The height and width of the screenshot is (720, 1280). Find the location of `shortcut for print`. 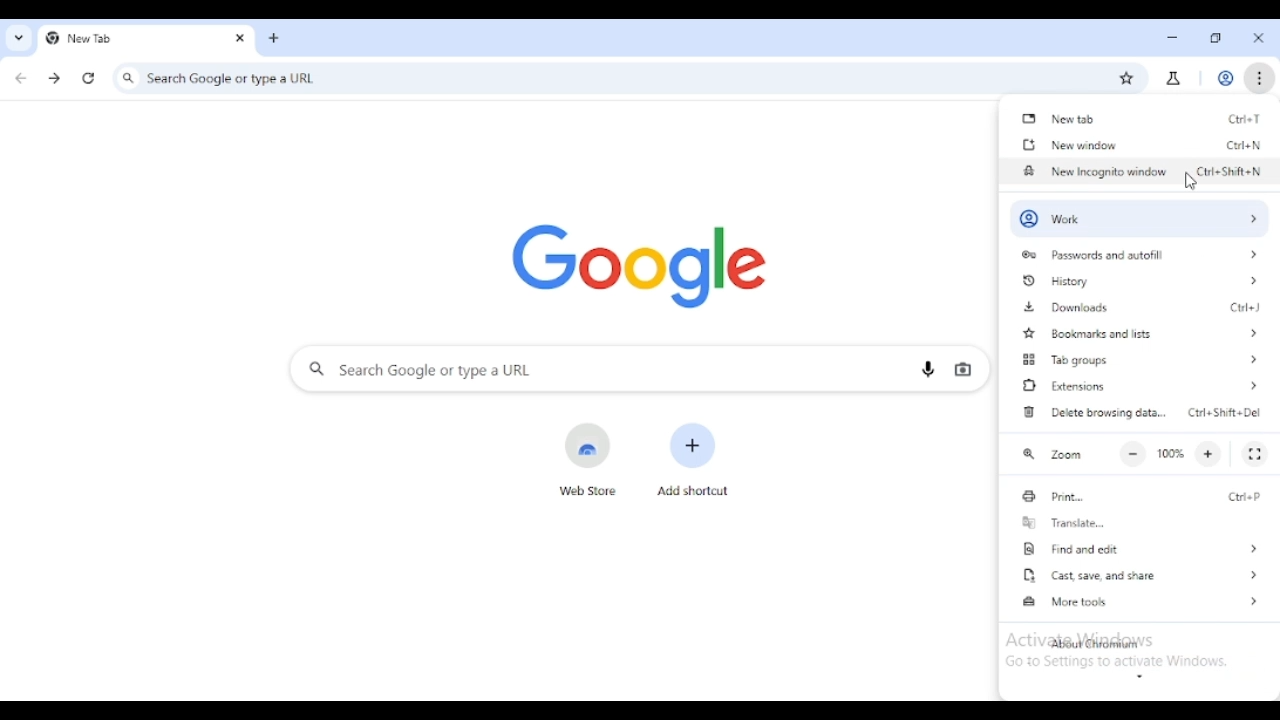

shortcut for print is located at coordinates (1245, 496).